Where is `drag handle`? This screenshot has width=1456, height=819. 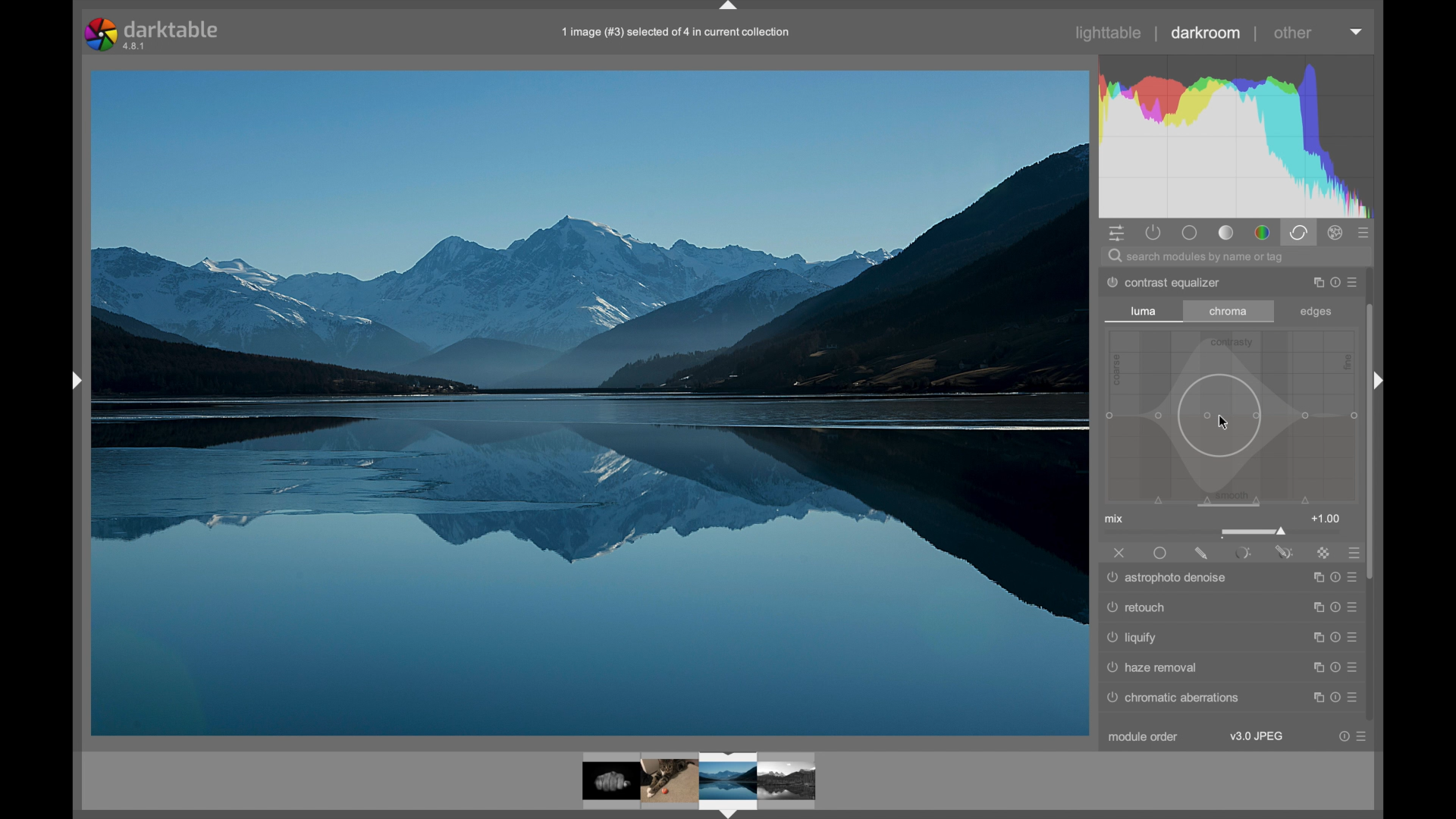
drag handle is located at coordinates (74, 382).